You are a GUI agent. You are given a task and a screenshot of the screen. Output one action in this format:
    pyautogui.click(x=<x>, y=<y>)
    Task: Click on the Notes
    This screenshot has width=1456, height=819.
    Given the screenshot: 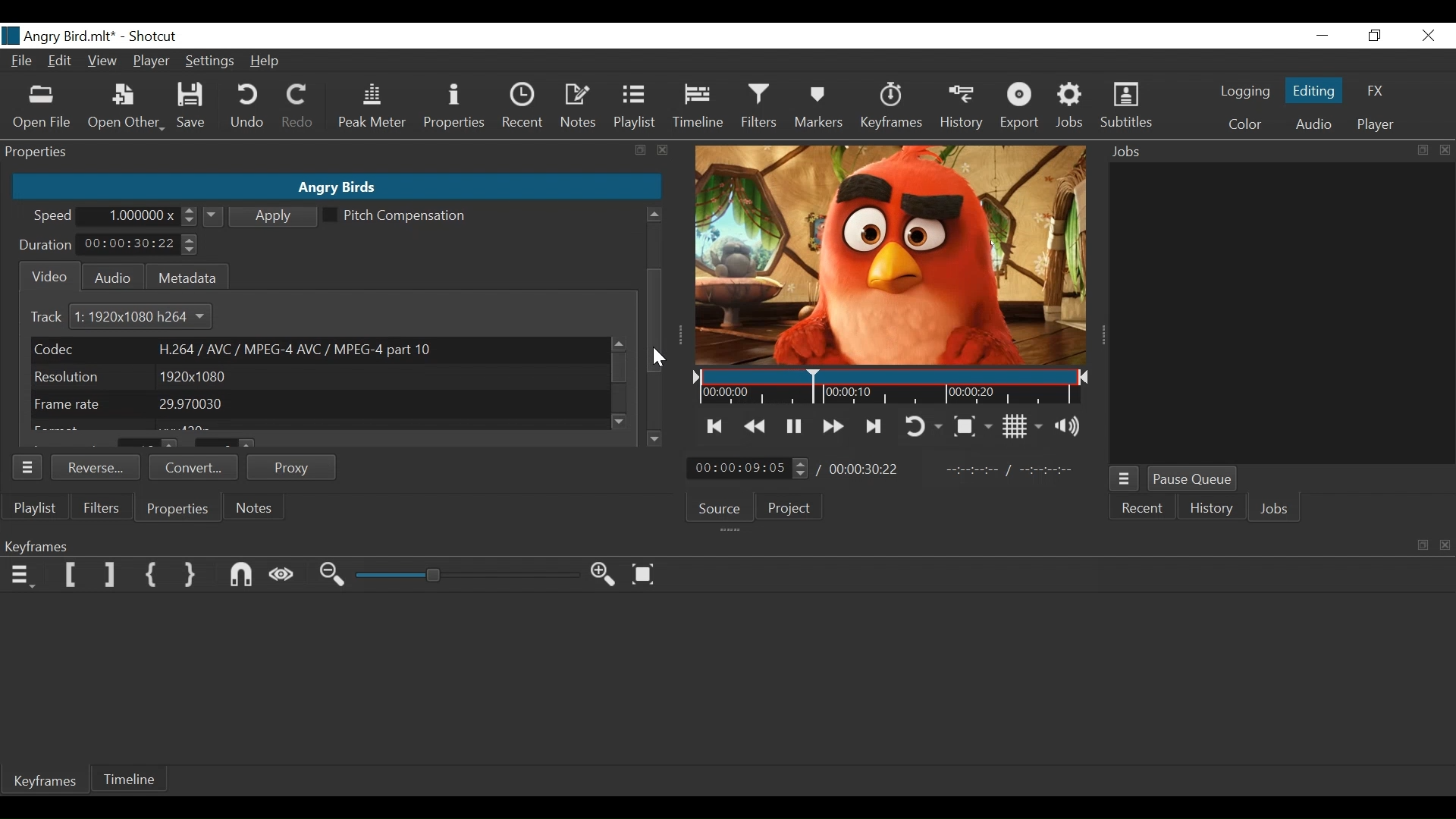 What is the action you would take?
    pyautogui.click(x=251, y=507)
    